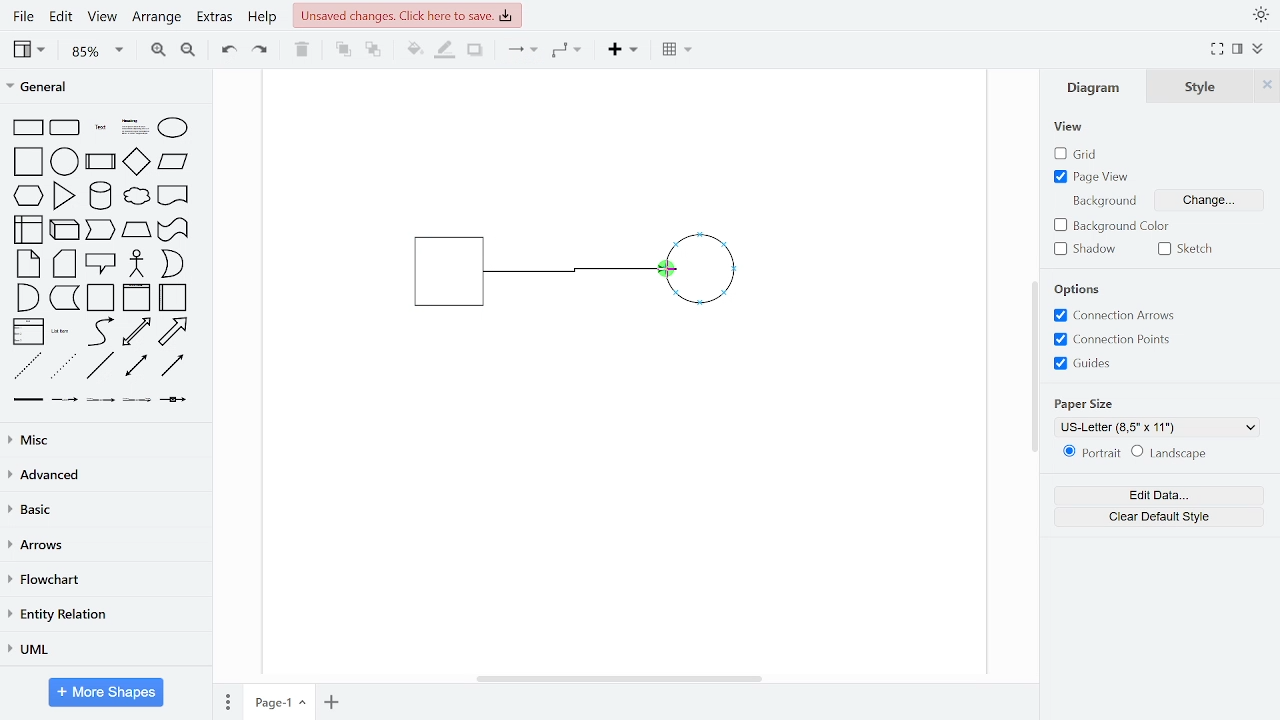 This screenshot has height=720, width=1280. What do you see at coordinates (63, 367) in the screenshot?
I see `dotted line` at bounding box center [63, 367].